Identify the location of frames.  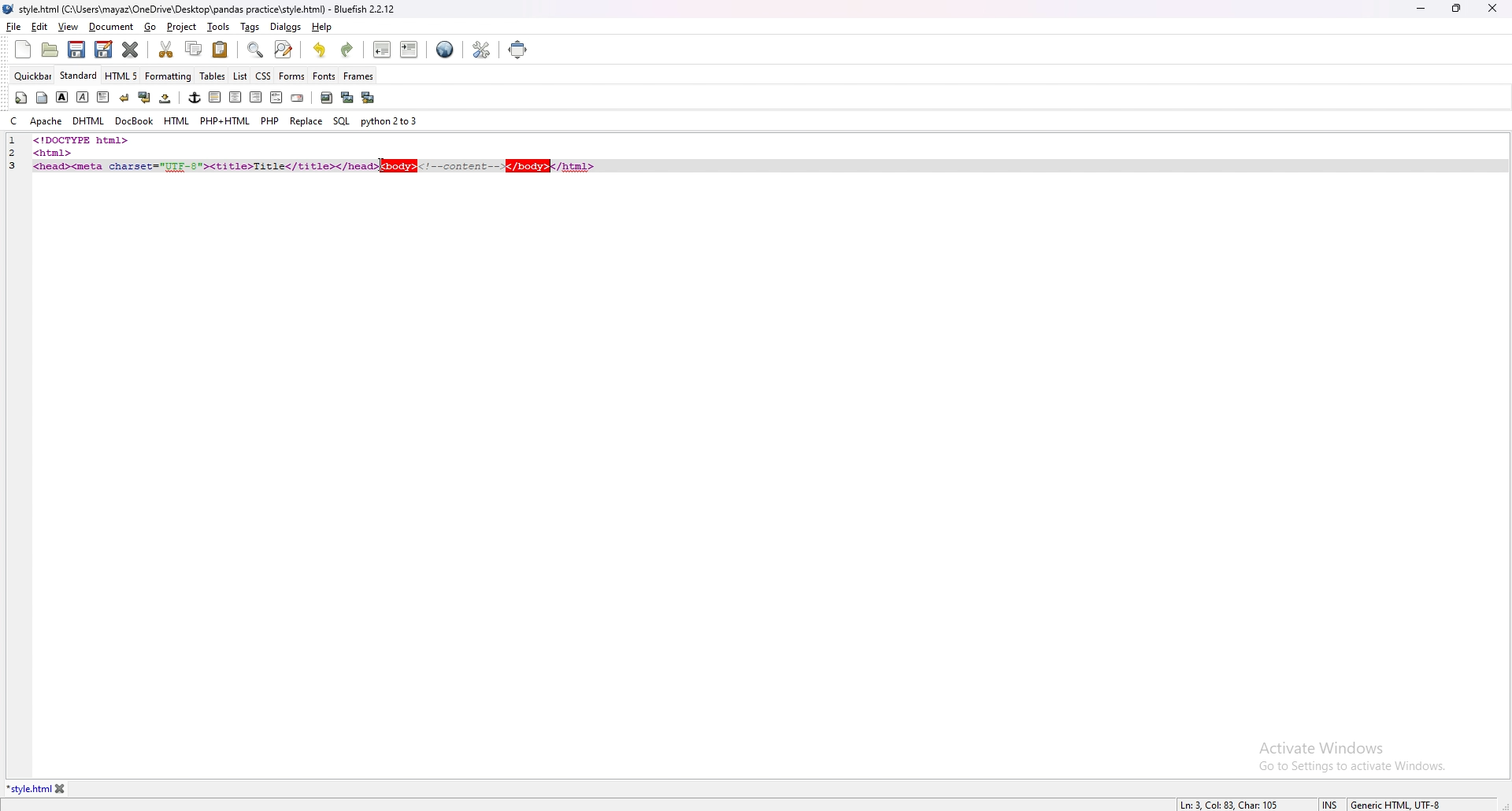
(358, 76).